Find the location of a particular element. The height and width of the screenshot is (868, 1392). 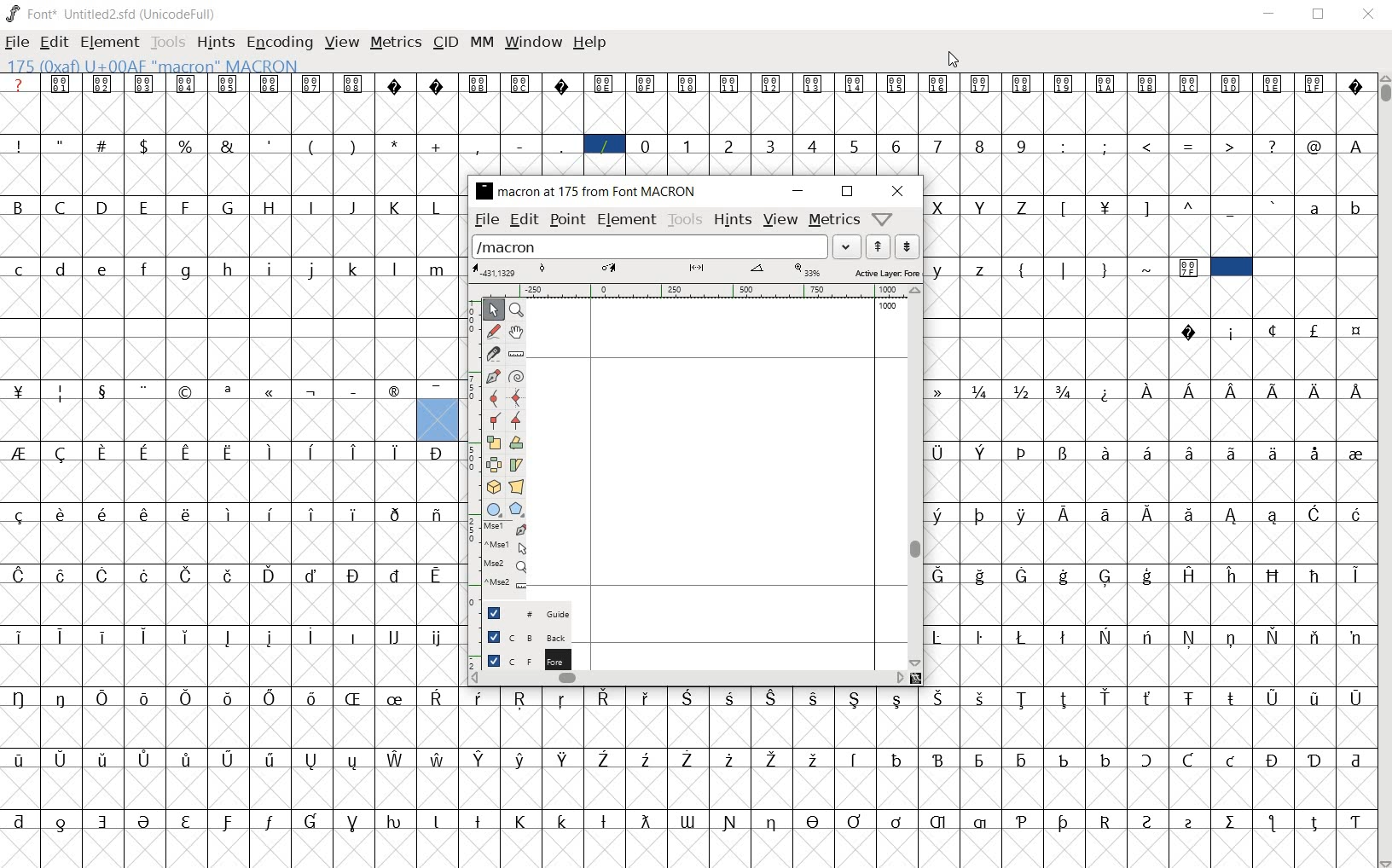

Symbol is located at coordinates (1065, 635).